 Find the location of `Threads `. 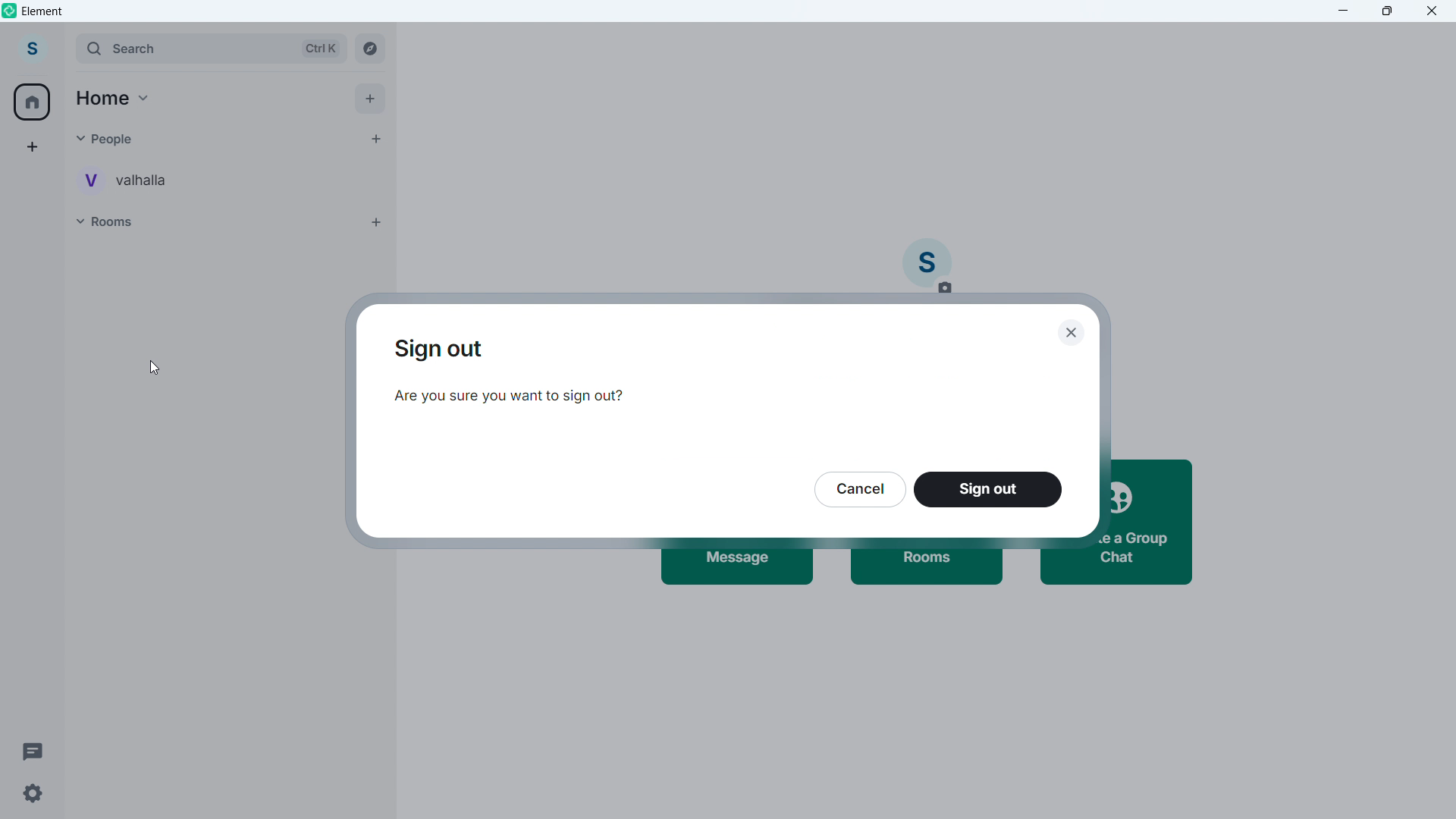

Threads  is located at coordinates (27, 748).